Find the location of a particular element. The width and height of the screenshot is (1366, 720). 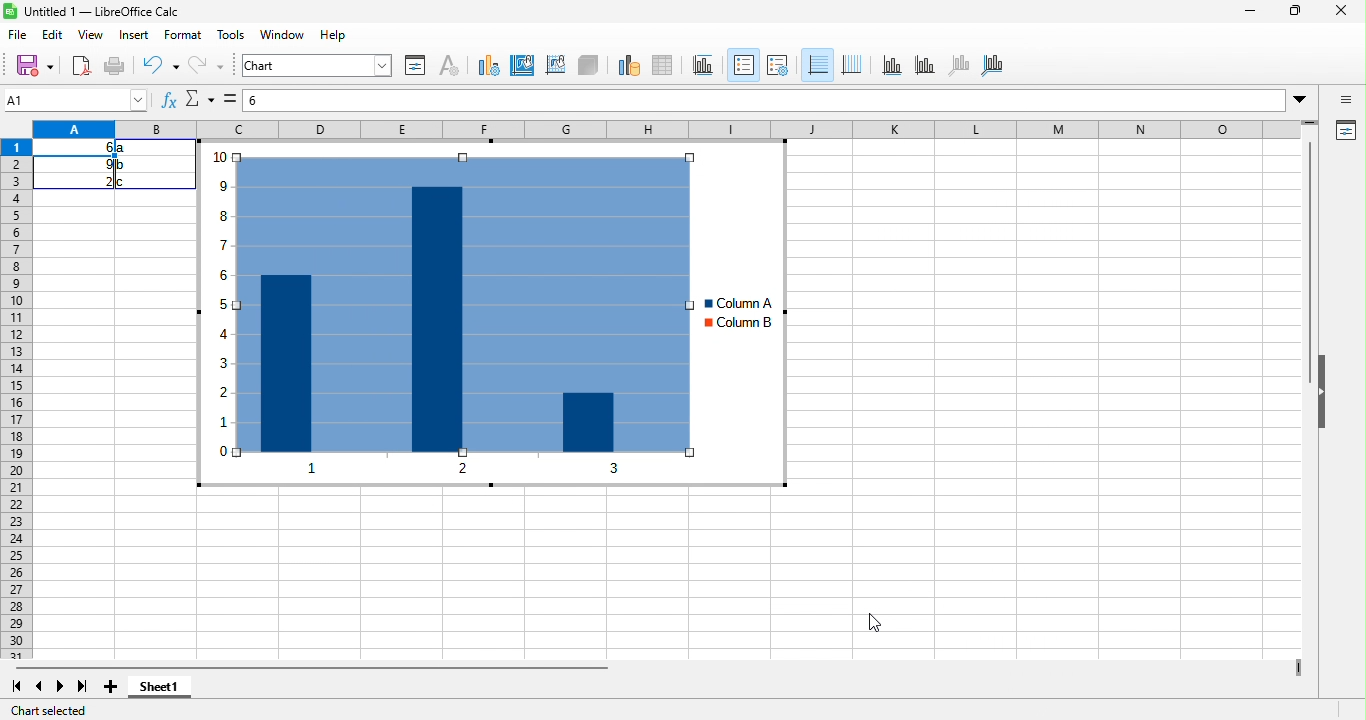

new sheet is located at coordinates (113, 690).